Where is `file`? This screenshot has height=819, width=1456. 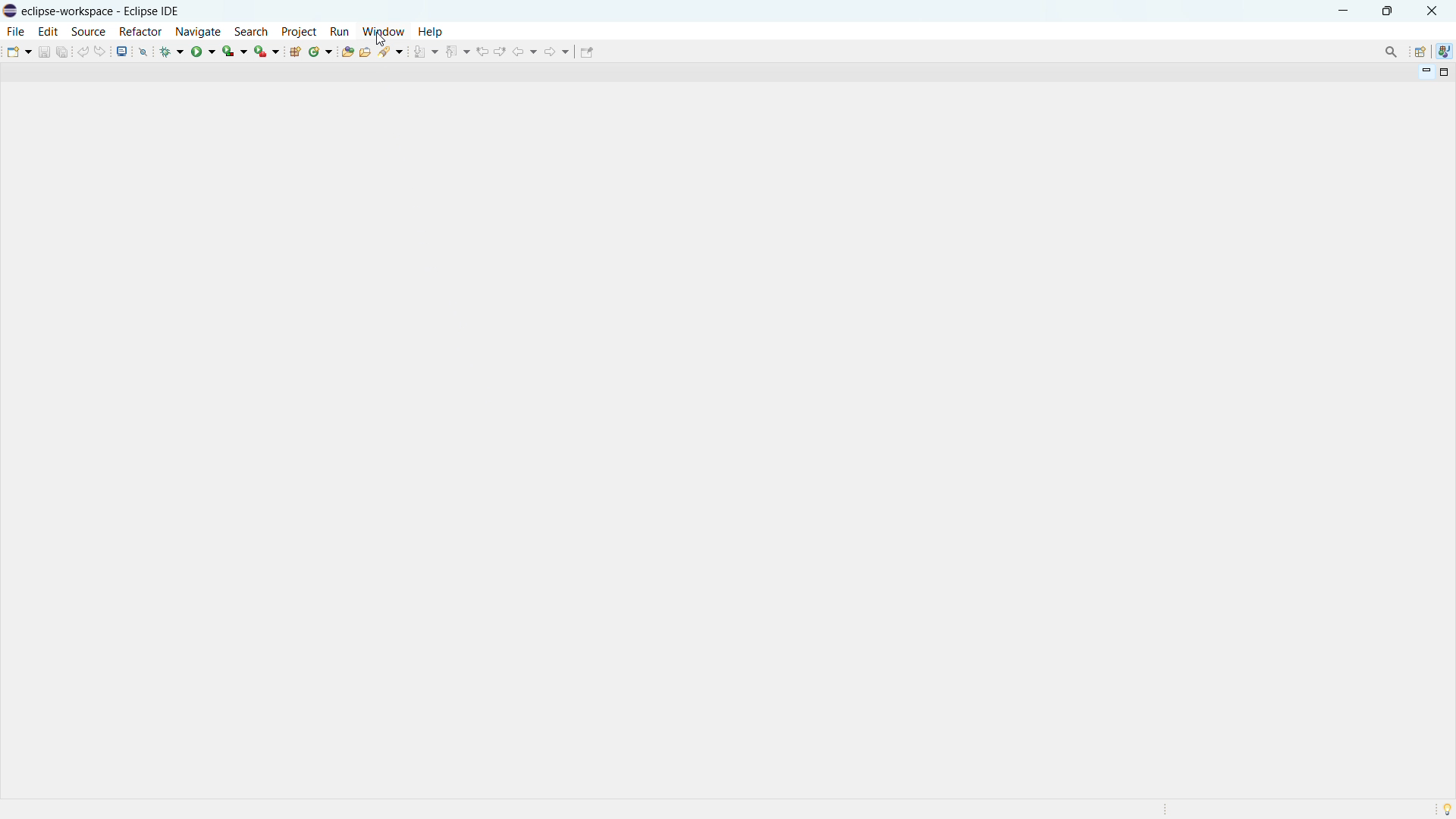 file is located at coordinates (17, 32).